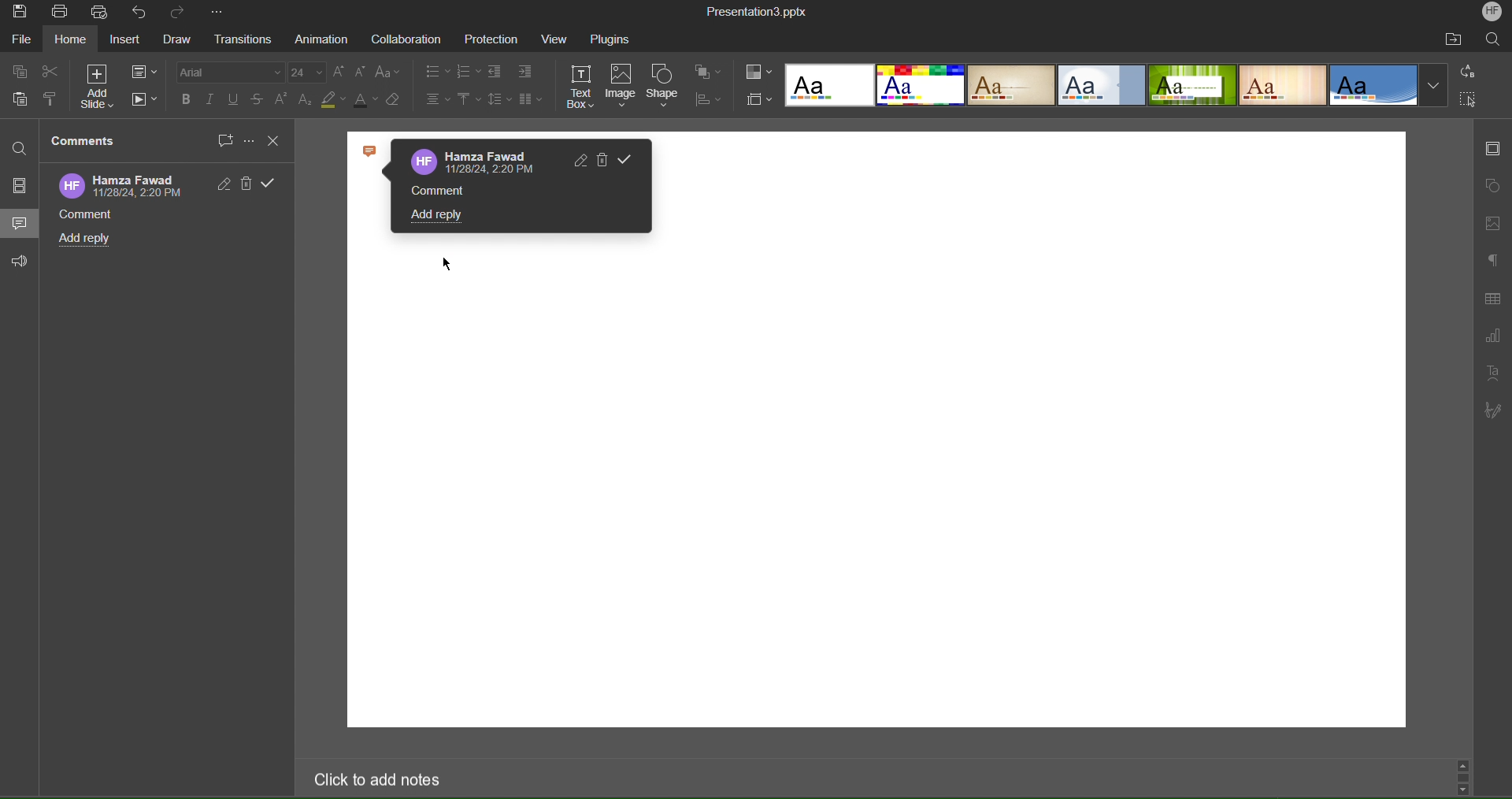  What do you see at coordinates (500, 100) in the screenshot?
I see `Line Spacing` at bounding box center [500, 100].